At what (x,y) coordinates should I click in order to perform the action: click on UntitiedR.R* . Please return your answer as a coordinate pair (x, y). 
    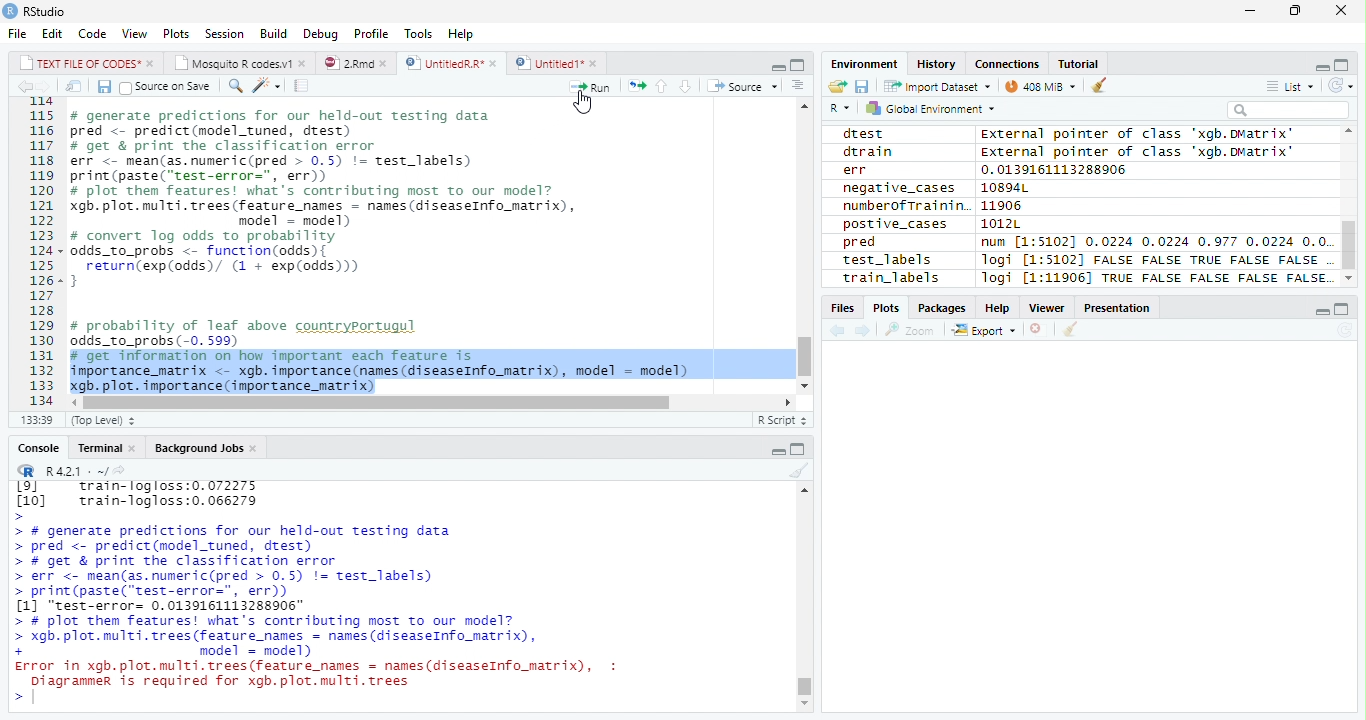
    Looking at the image, I should click on (451, 62).